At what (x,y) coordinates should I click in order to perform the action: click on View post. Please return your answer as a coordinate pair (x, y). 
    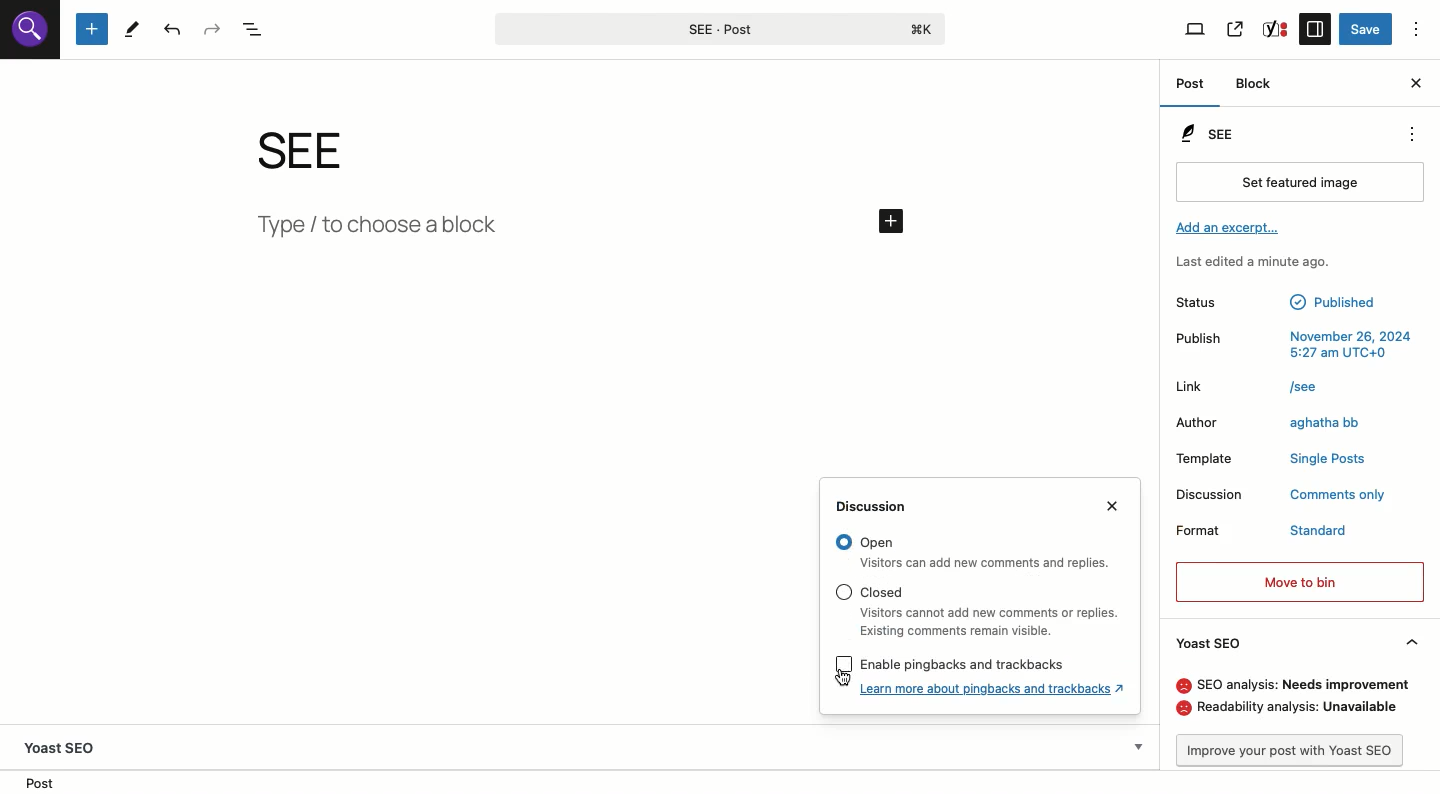
    Looking at the image, I should click on (1237, 27).